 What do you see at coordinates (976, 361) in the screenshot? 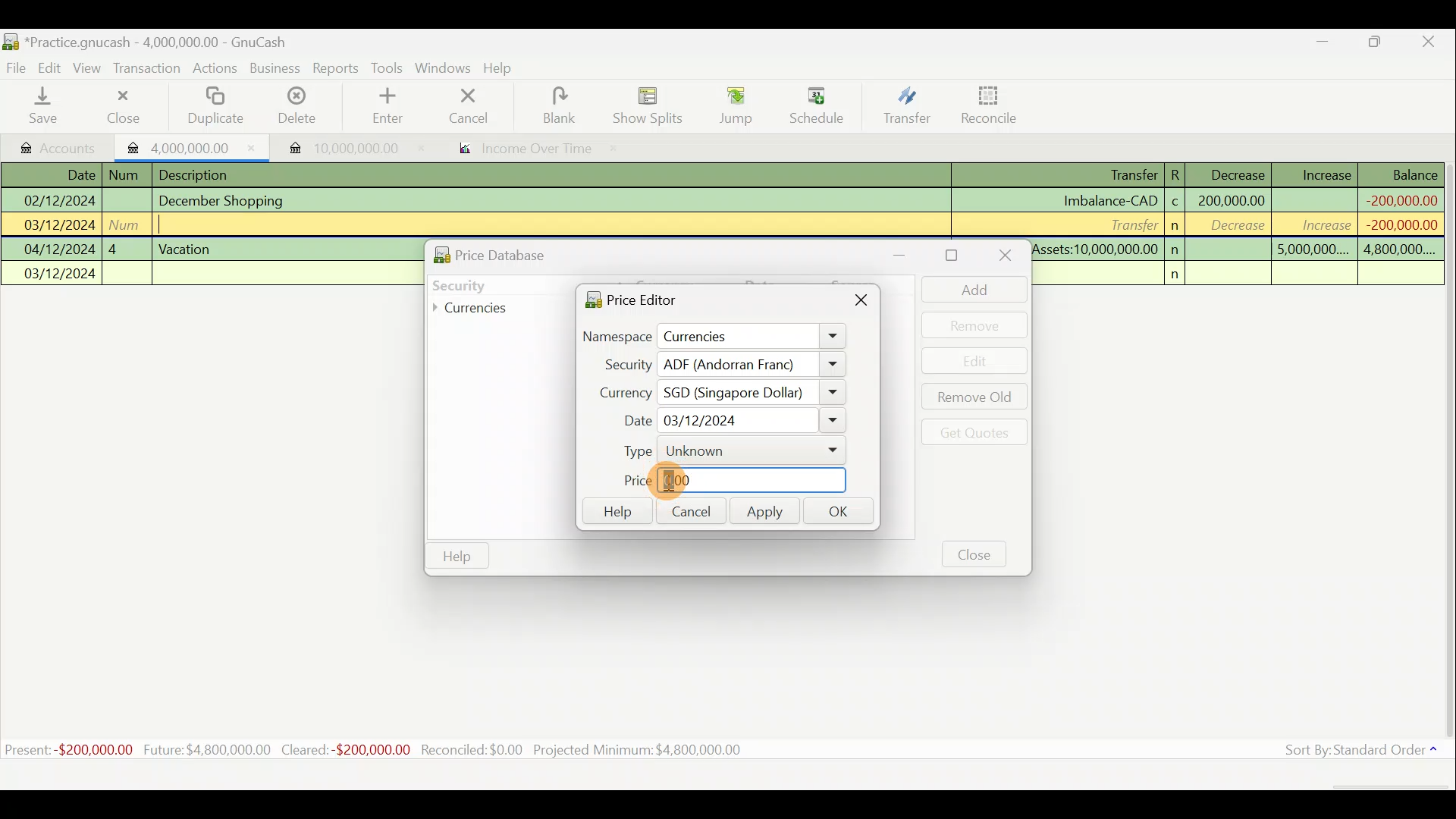
I see `Edit` at bounding box center [976, 361].